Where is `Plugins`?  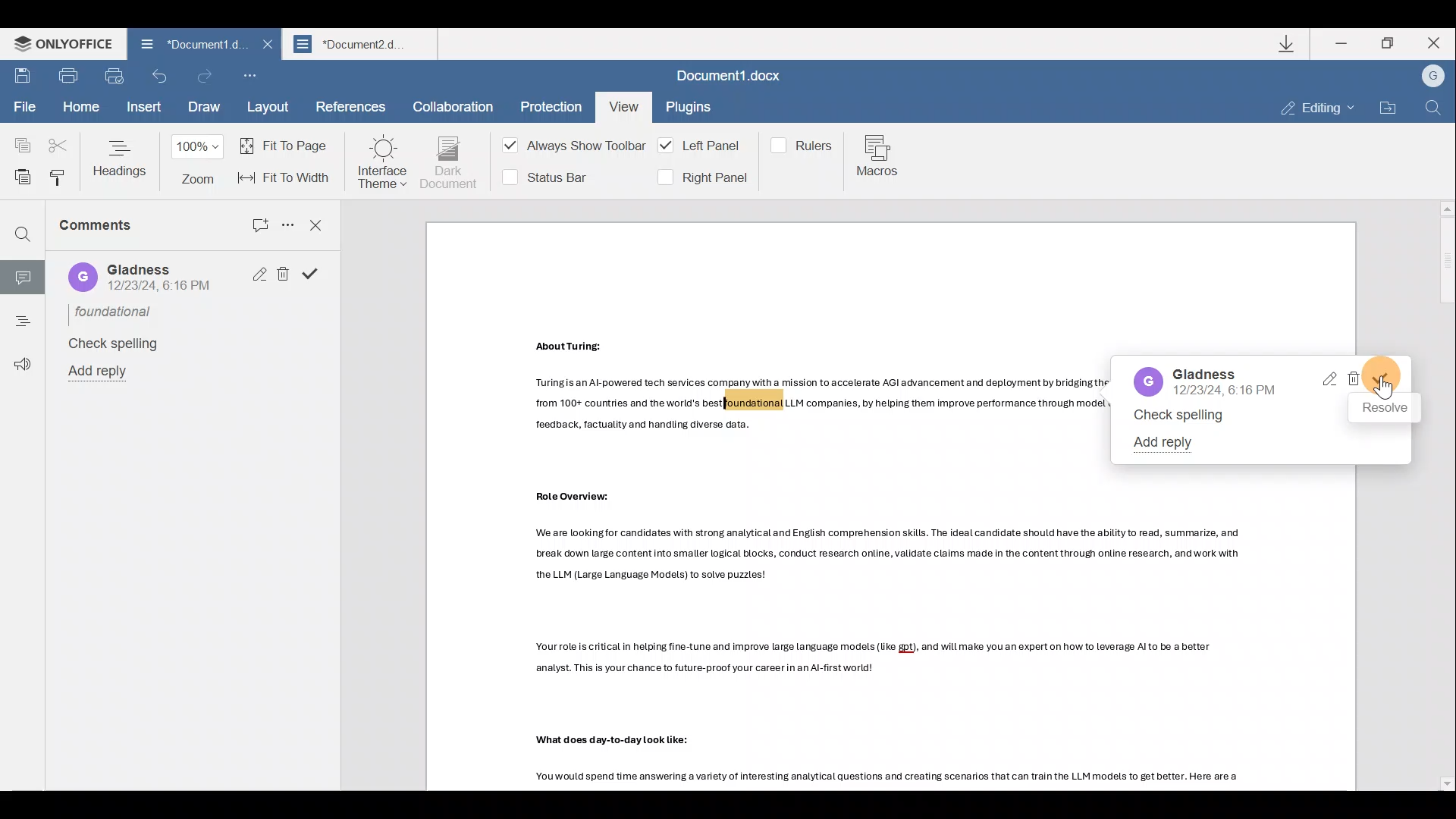
Plugins is located at coordinates (690, 109).